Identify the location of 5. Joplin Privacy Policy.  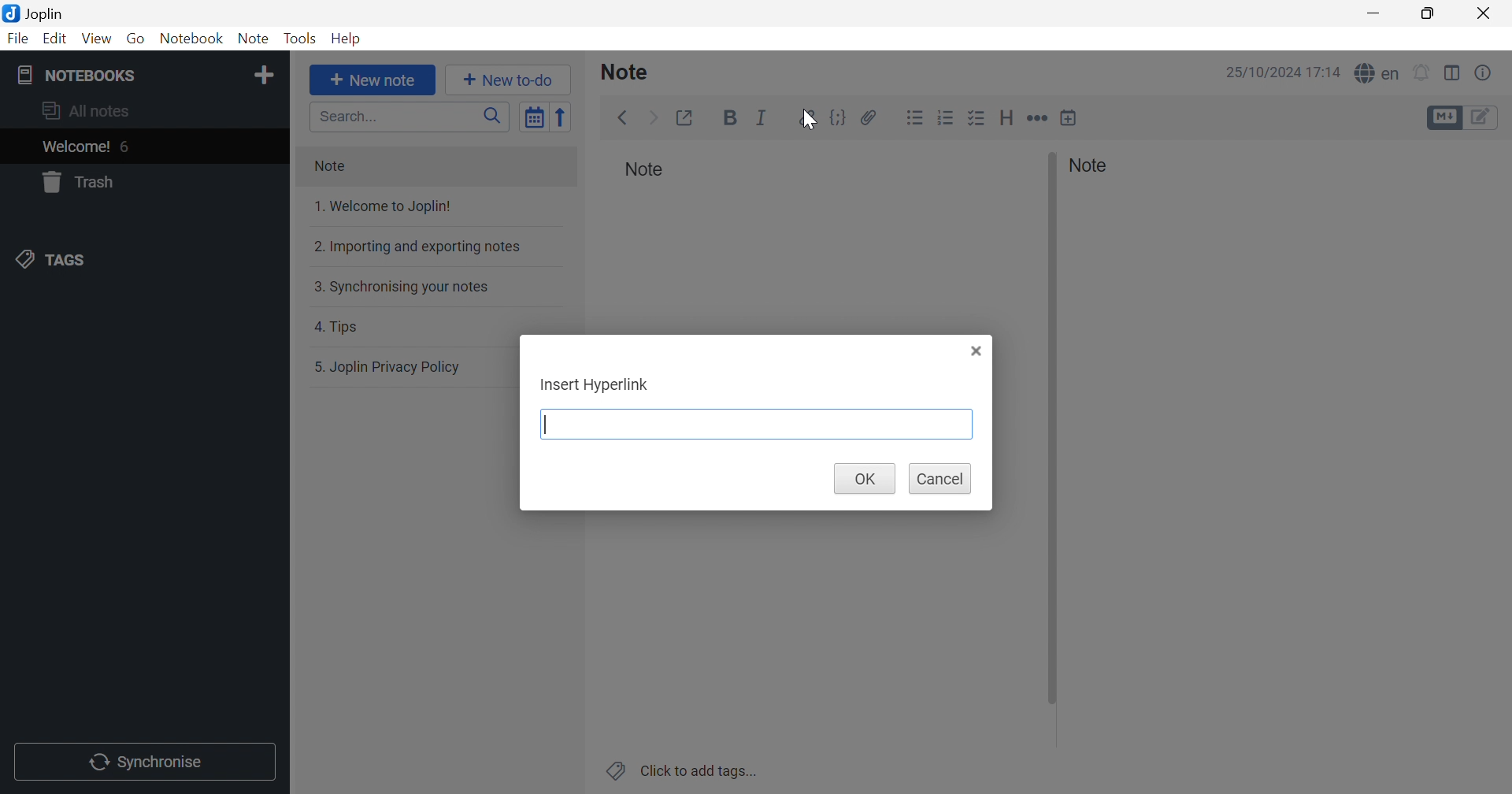
(414, 368).